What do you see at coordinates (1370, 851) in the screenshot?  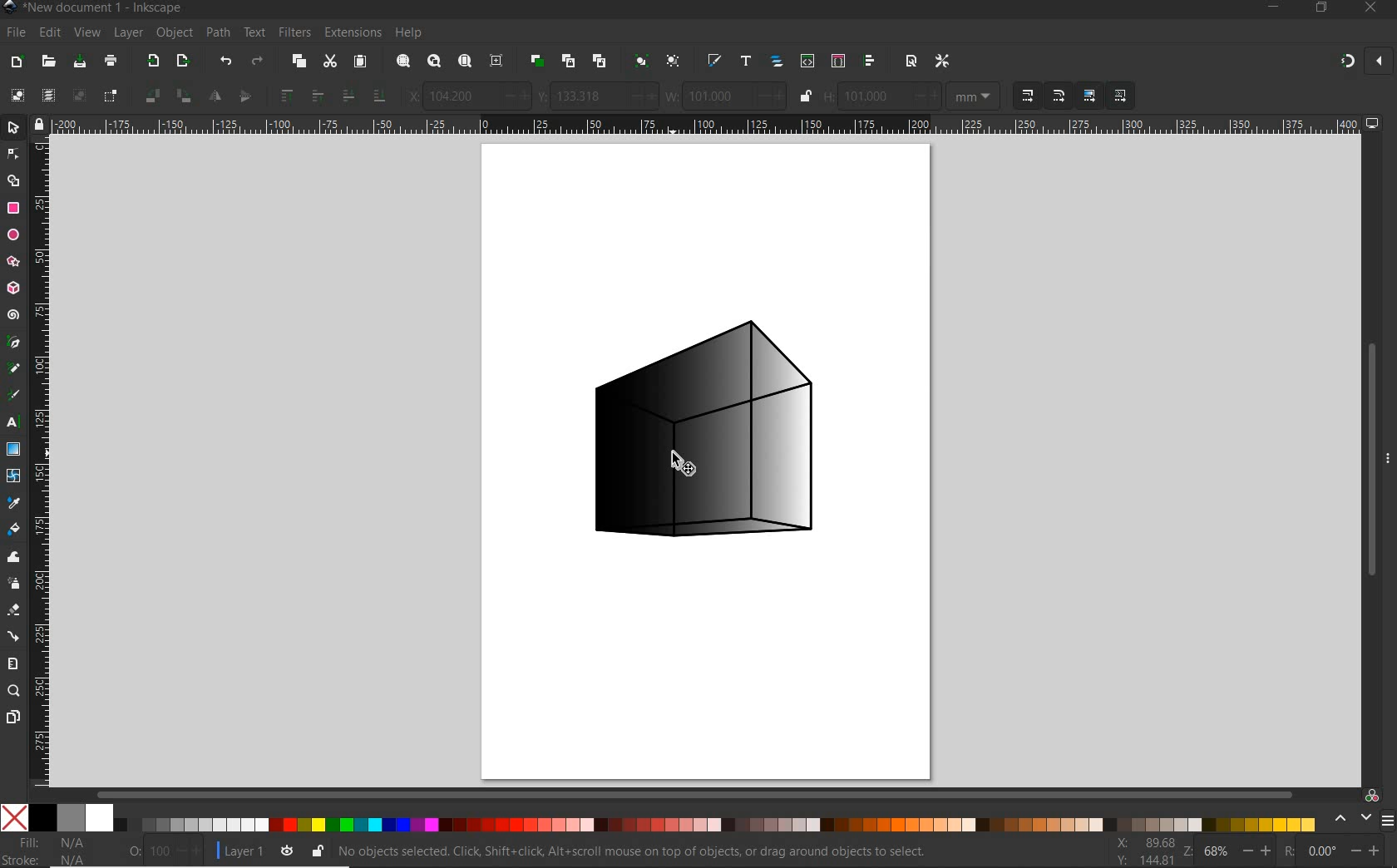 I see `increase/decrease` at bounding box center [1370, 851].